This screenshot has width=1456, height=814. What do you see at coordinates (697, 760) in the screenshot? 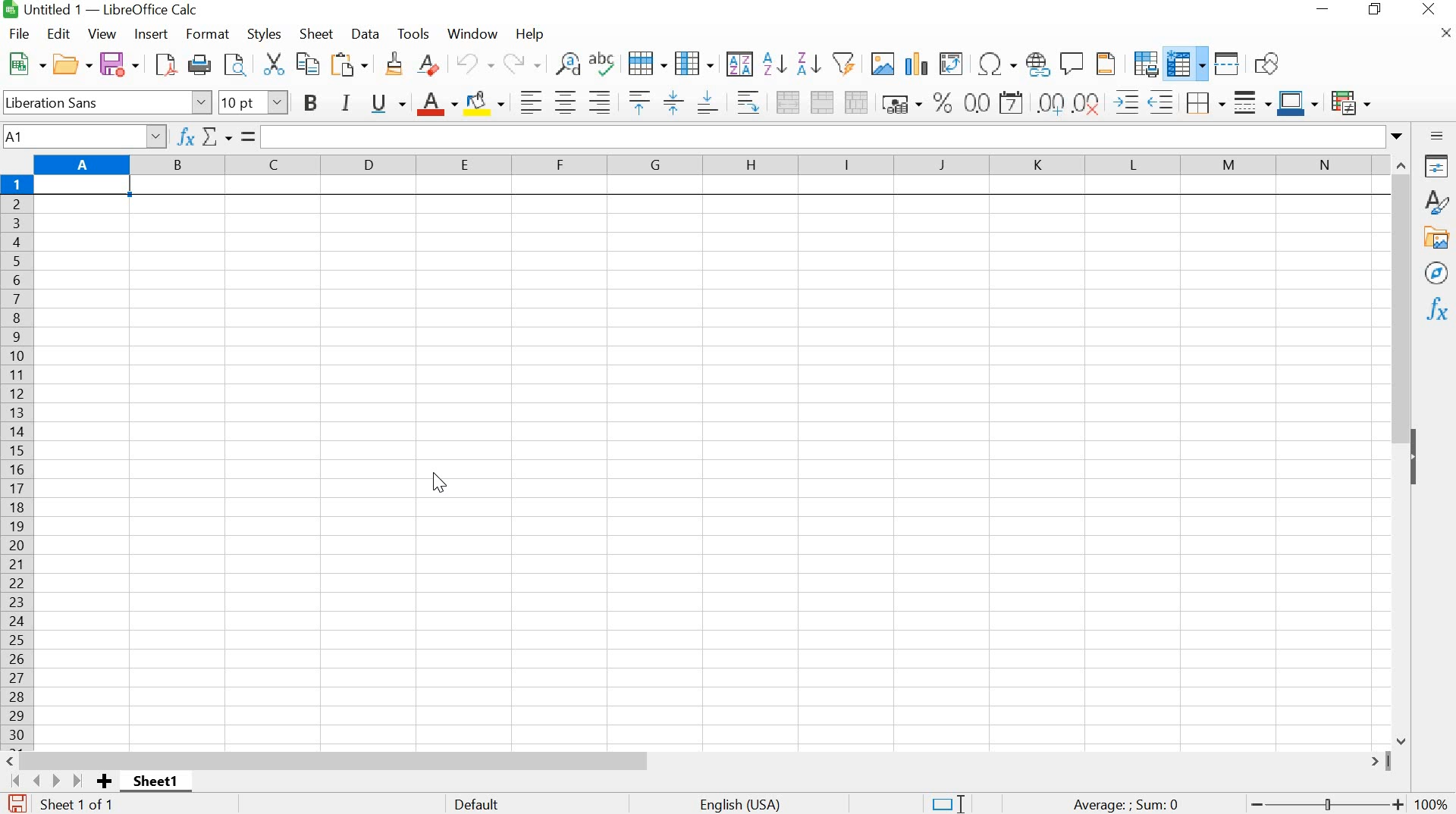
I see `SCROLLBAR` at bounding box center [697, 760].